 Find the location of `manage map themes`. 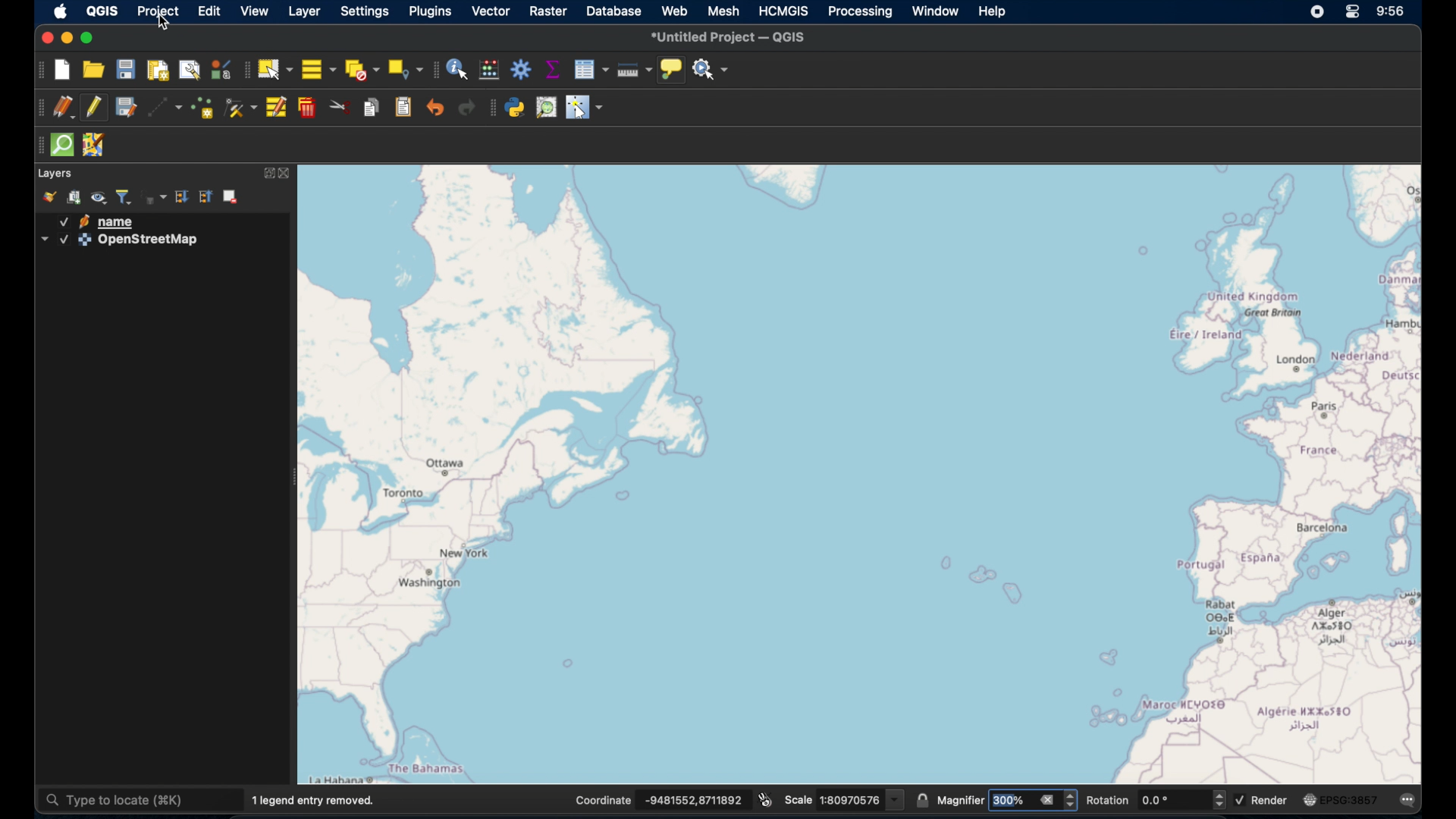

manage map themes is located at coordinates (99, 198).